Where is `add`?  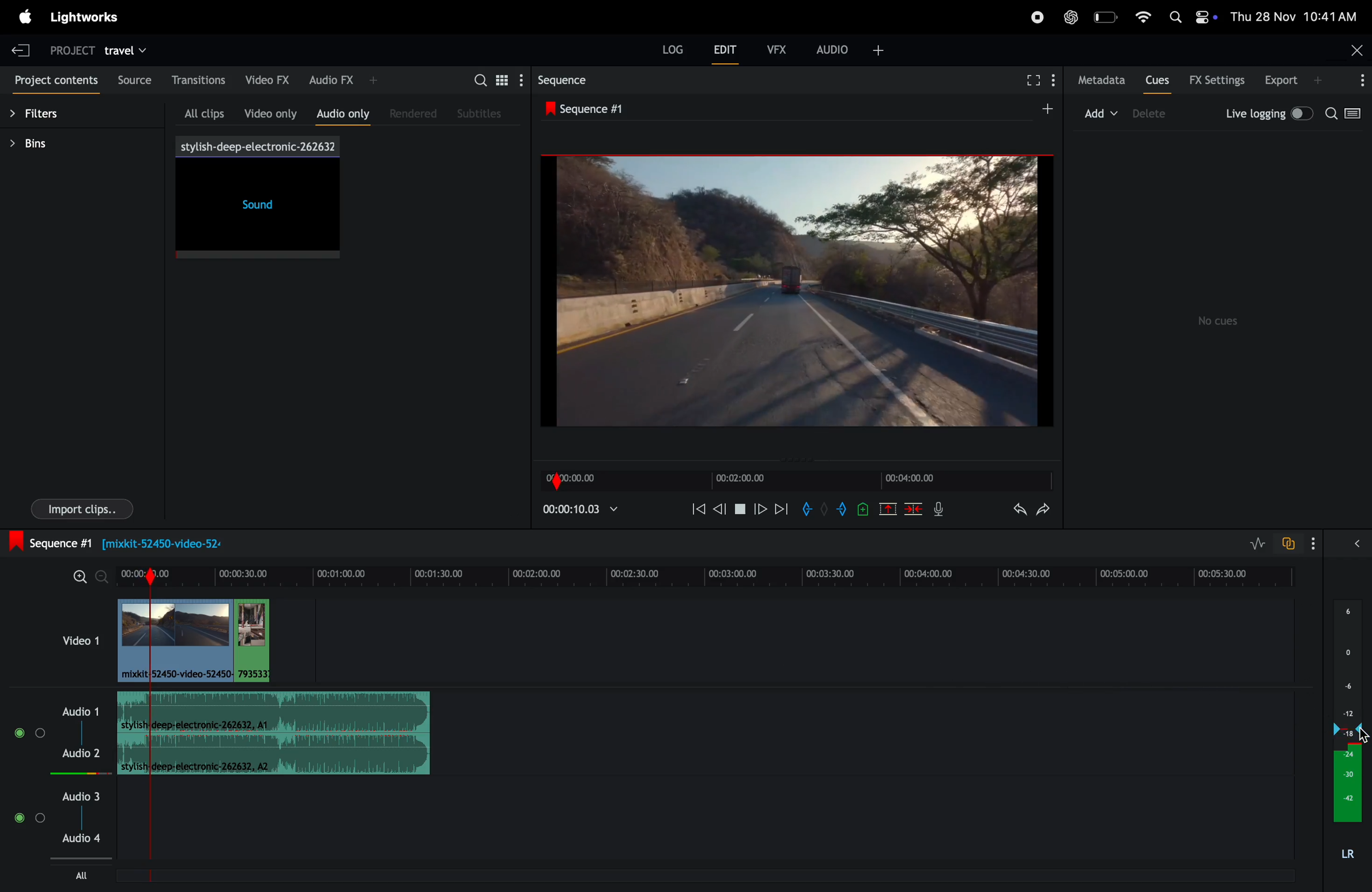 add is located at coordinates (1102, 114).